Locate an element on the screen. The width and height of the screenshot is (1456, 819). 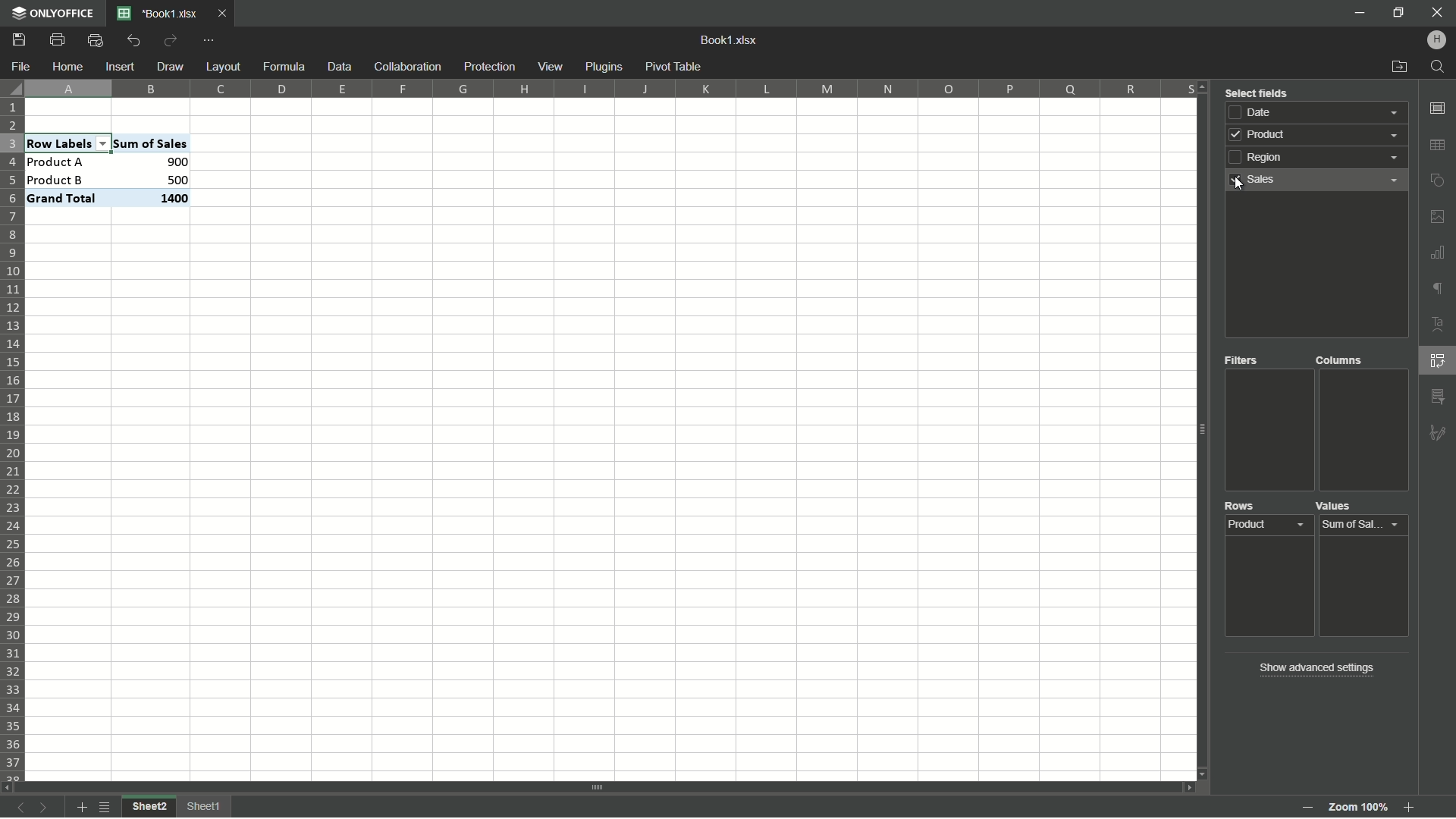
minimize/maximize is located at coordinates (1398, 13).